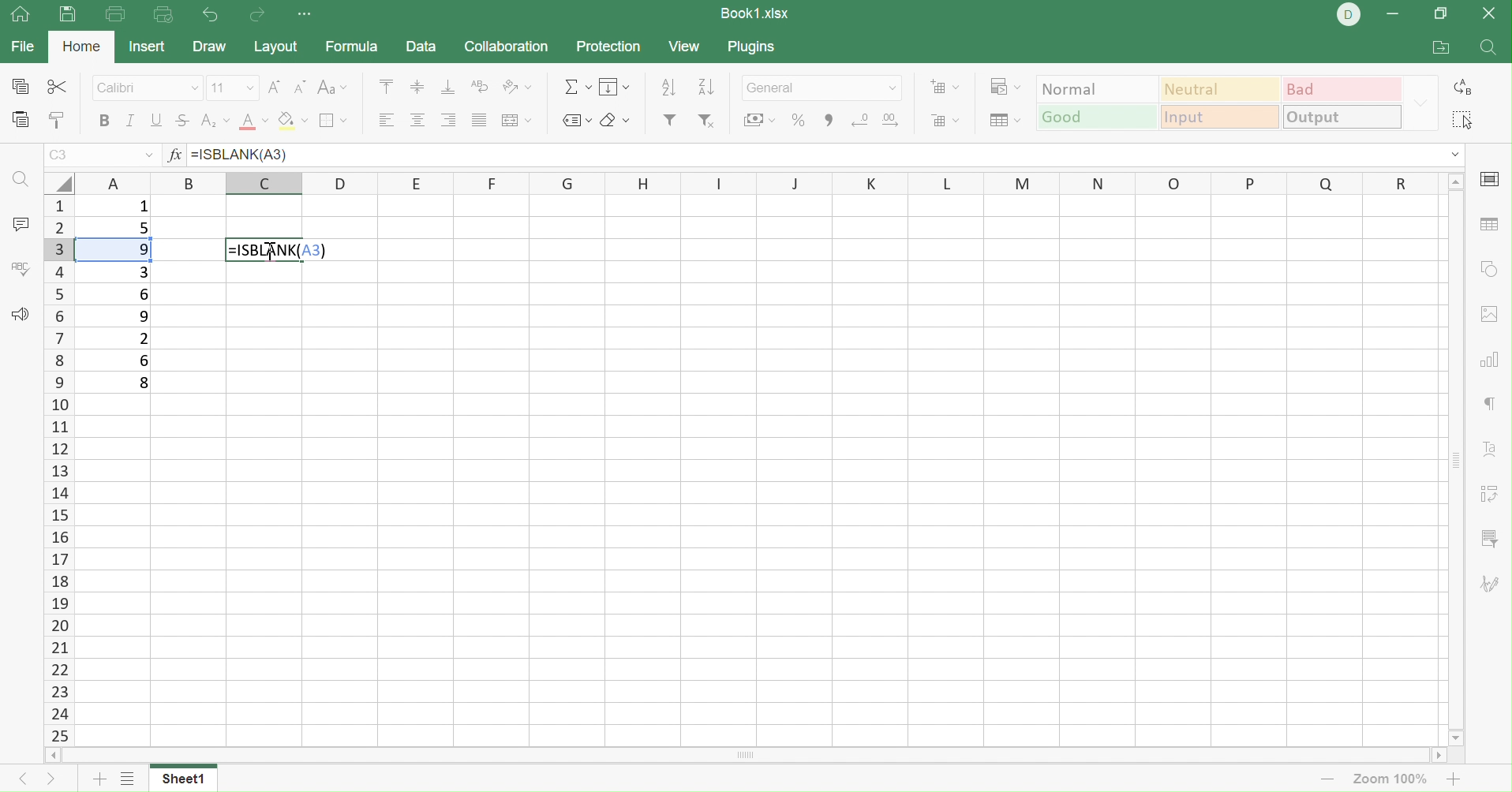  What do you see at coordinates (1440, 754) in the screenshot?
I see `Scroll right` at bounding box center [1440, 754].